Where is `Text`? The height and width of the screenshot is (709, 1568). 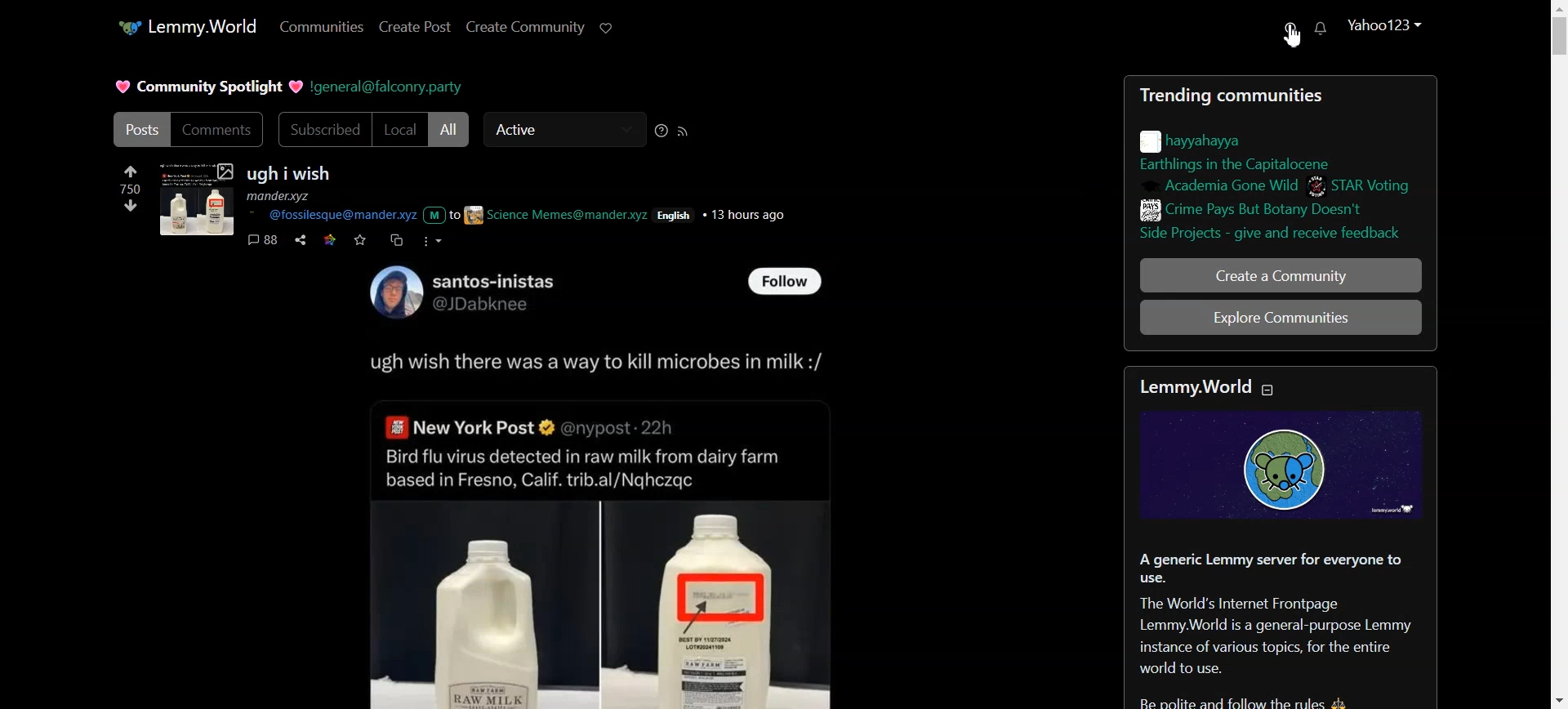 Text is located at coordinates (1282, 540).